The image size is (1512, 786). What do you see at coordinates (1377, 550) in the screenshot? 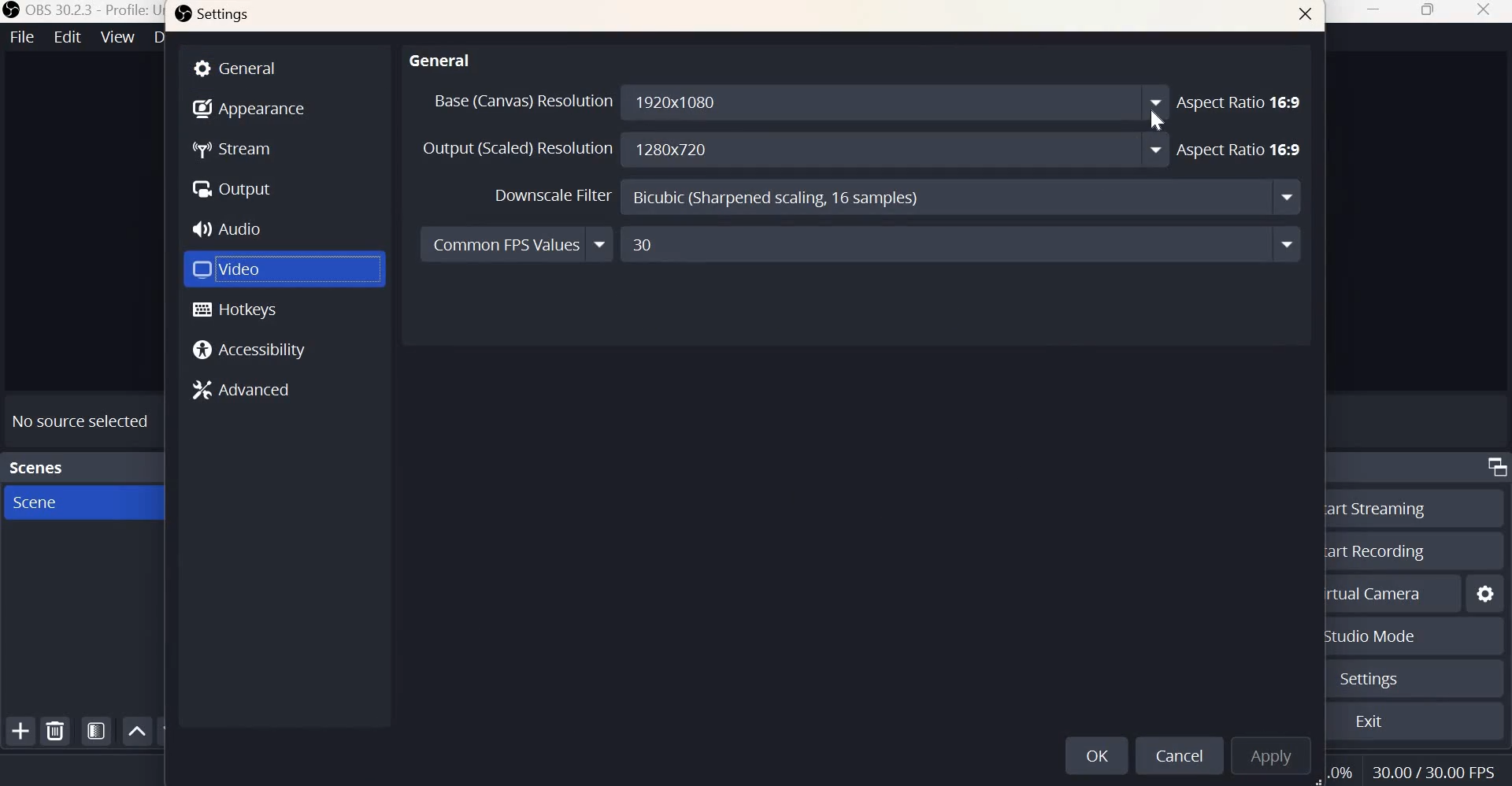
I see `Start recording` at bounding box center [1377, 550].